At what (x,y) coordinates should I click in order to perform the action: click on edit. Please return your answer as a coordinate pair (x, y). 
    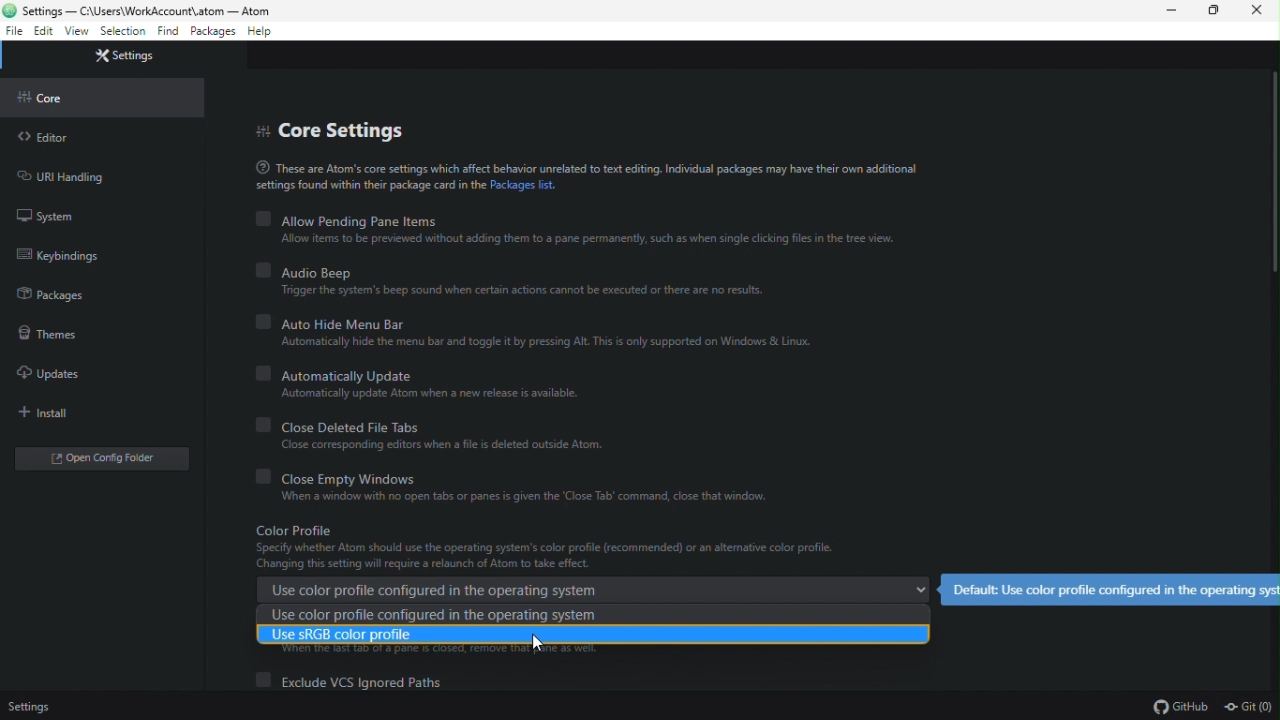
    Looking at the image, I should click on (43, 31).